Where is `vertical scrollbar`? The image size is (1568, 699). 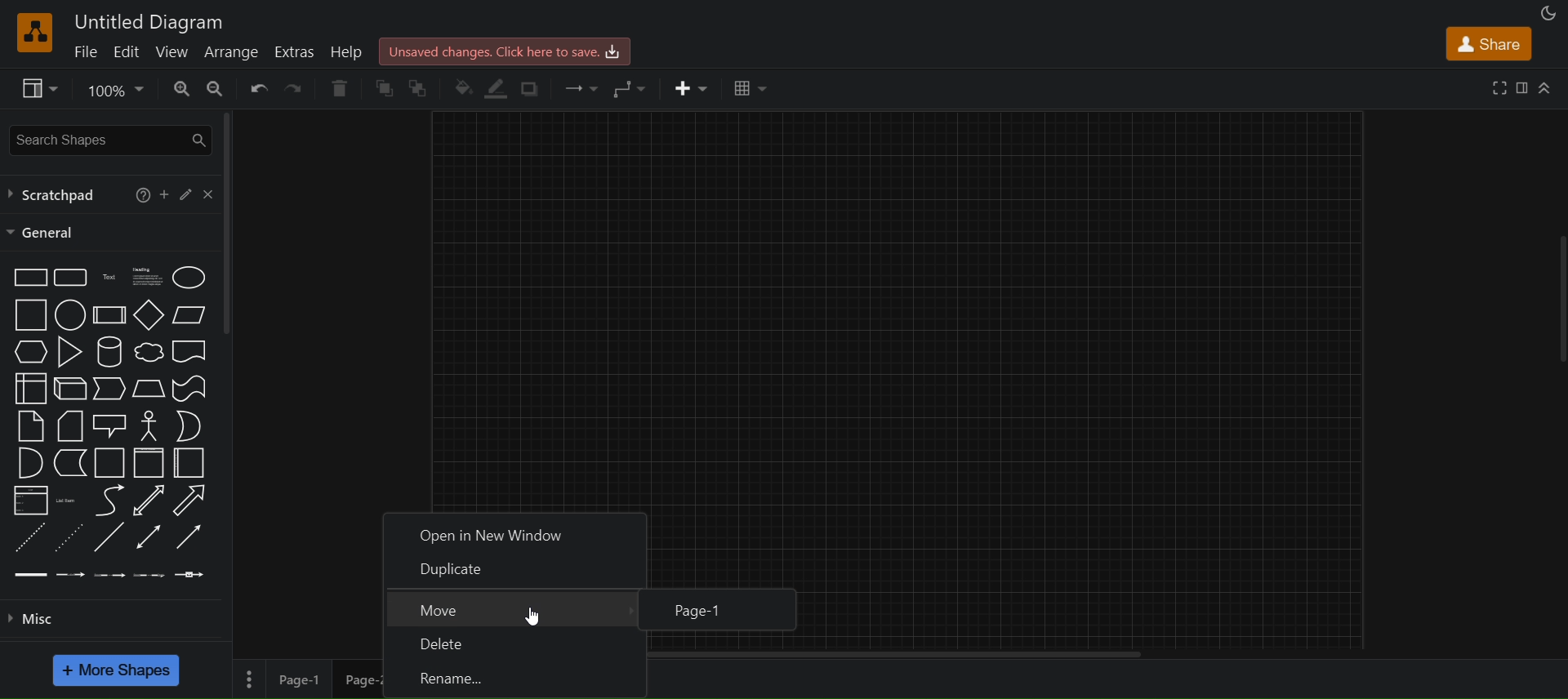 vertical scrollbar is located at coordinates (1561, 290).